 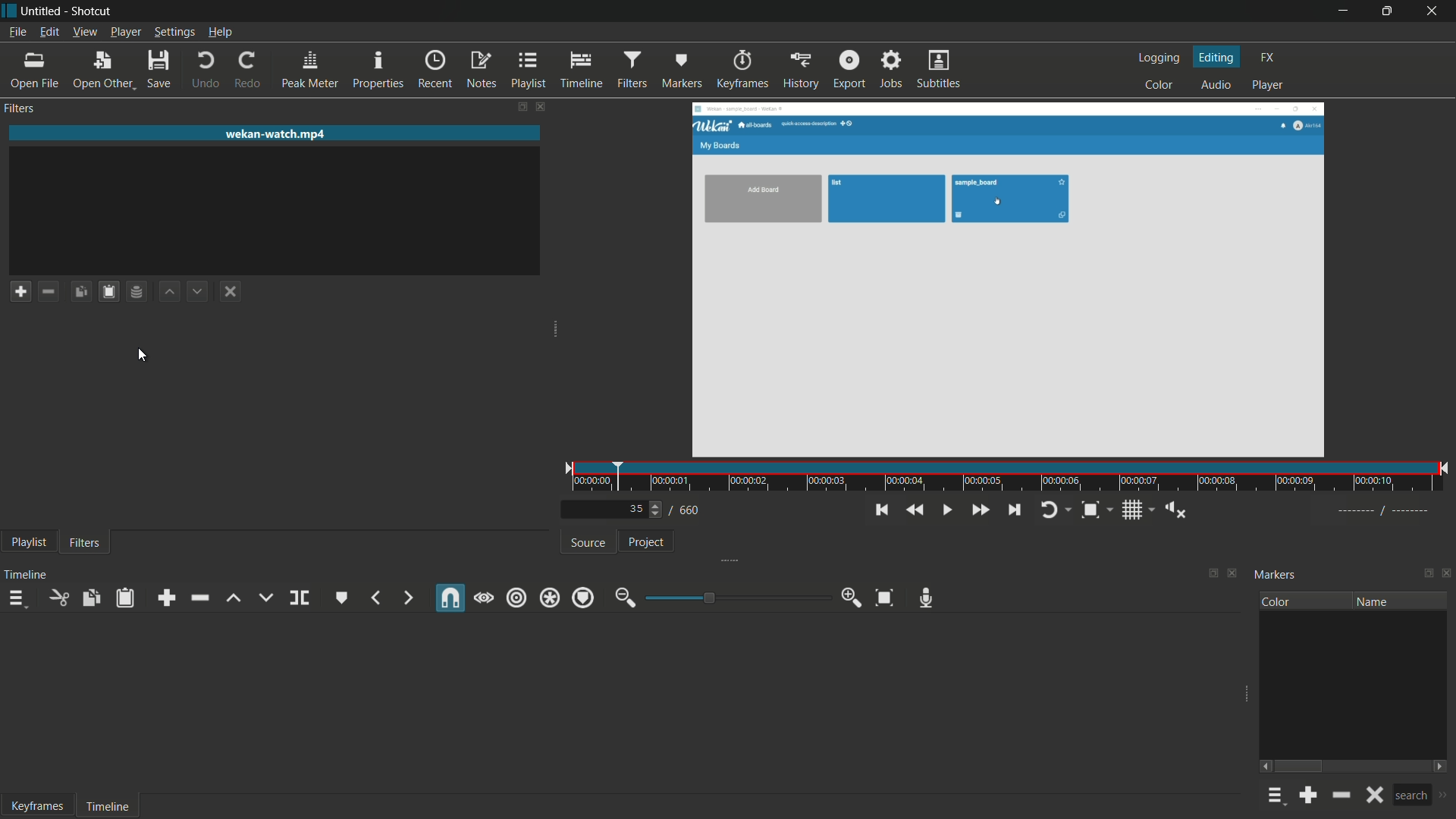 I want to click on overwrite, so click(x=265, y=598).